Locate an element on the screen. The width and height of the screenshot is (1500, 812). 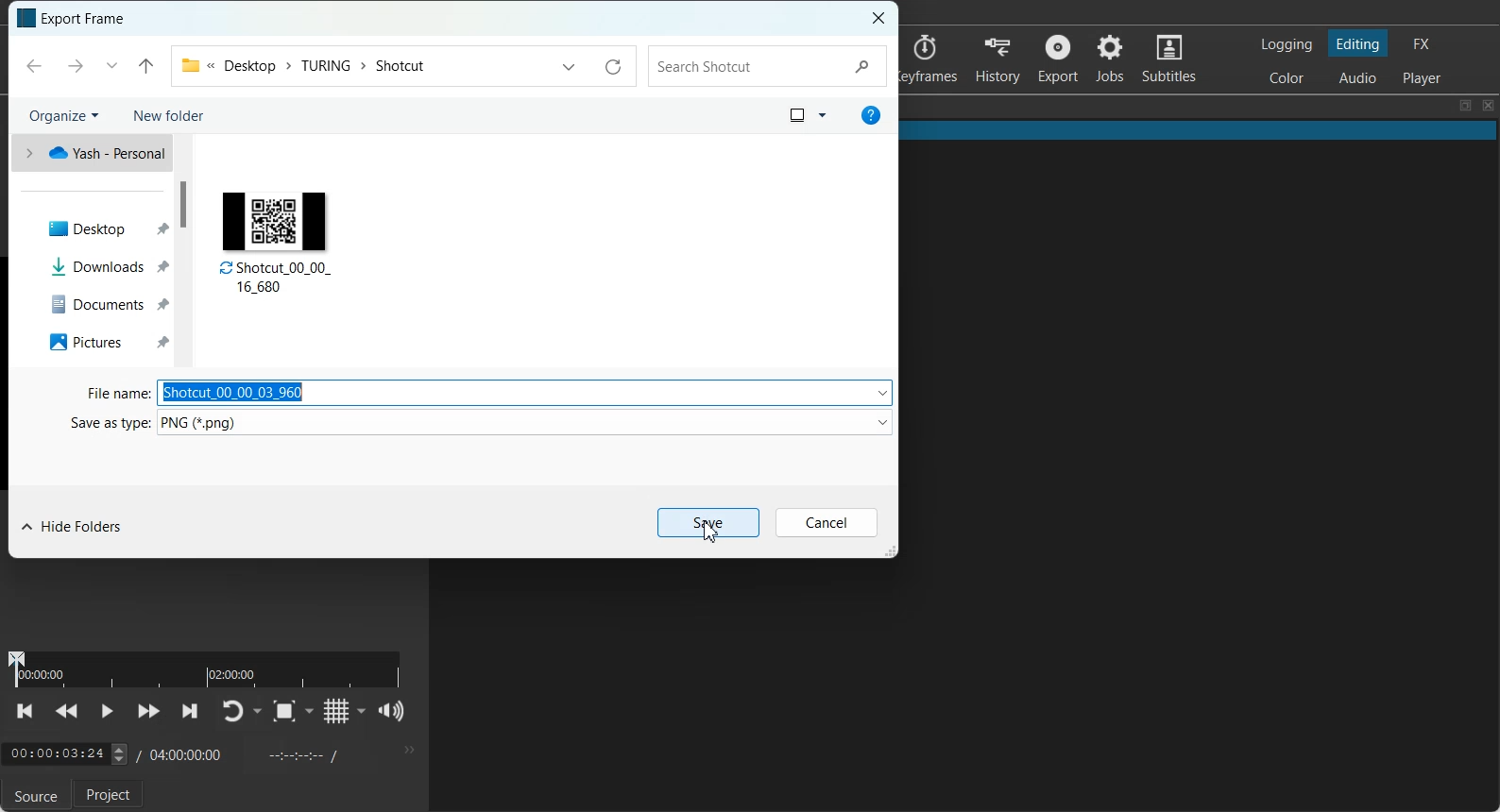
Play Quickly Forward is located at coordinates (148, 712).